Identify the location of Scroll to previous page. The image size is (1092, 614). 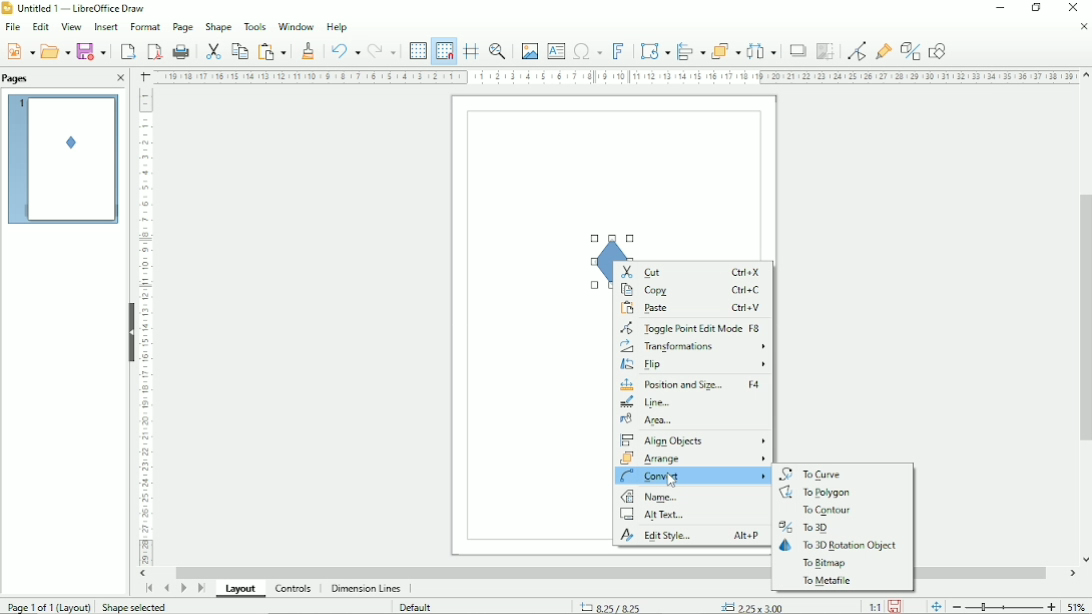
(166, 588).